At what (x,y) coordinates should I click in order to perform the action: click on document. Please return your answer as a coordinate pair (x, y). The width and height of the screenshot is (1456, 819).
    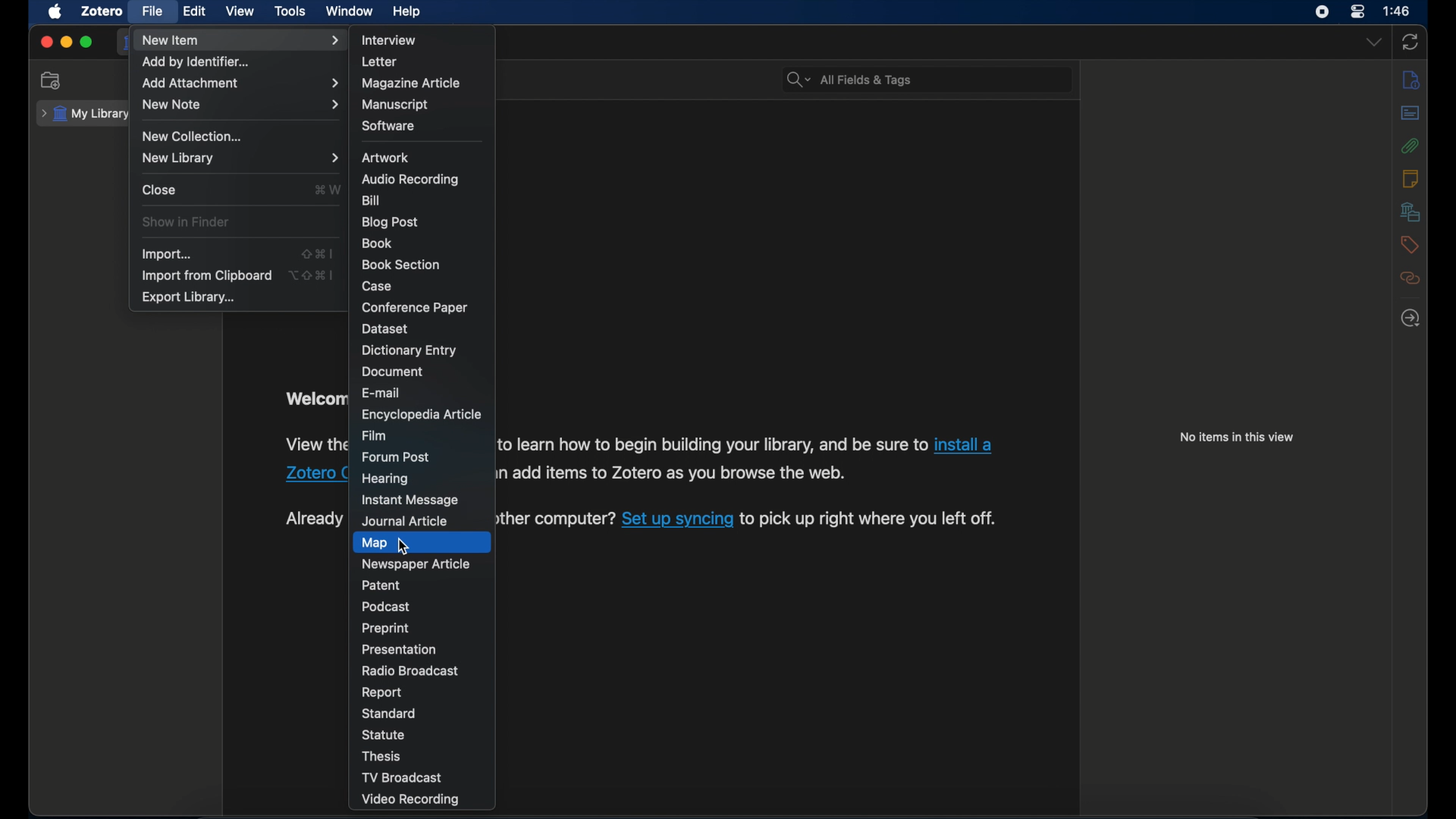
    Looking at the image, I should click on (393, 372).